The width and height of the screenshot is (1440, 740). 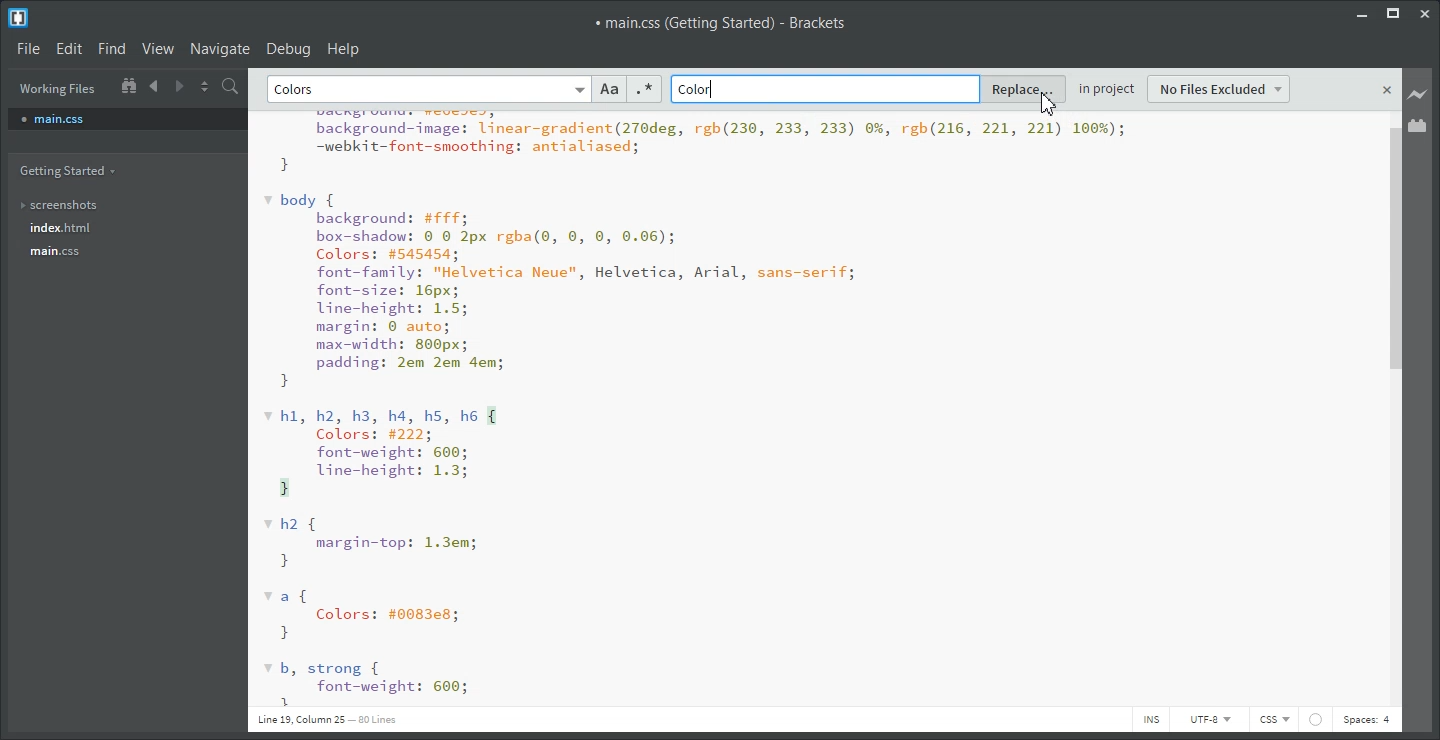 What do you see at coordinates (367, 615) in the screenshot?
I see `af
Colors: #0083e8;
}` at bounding box center [367, 615].